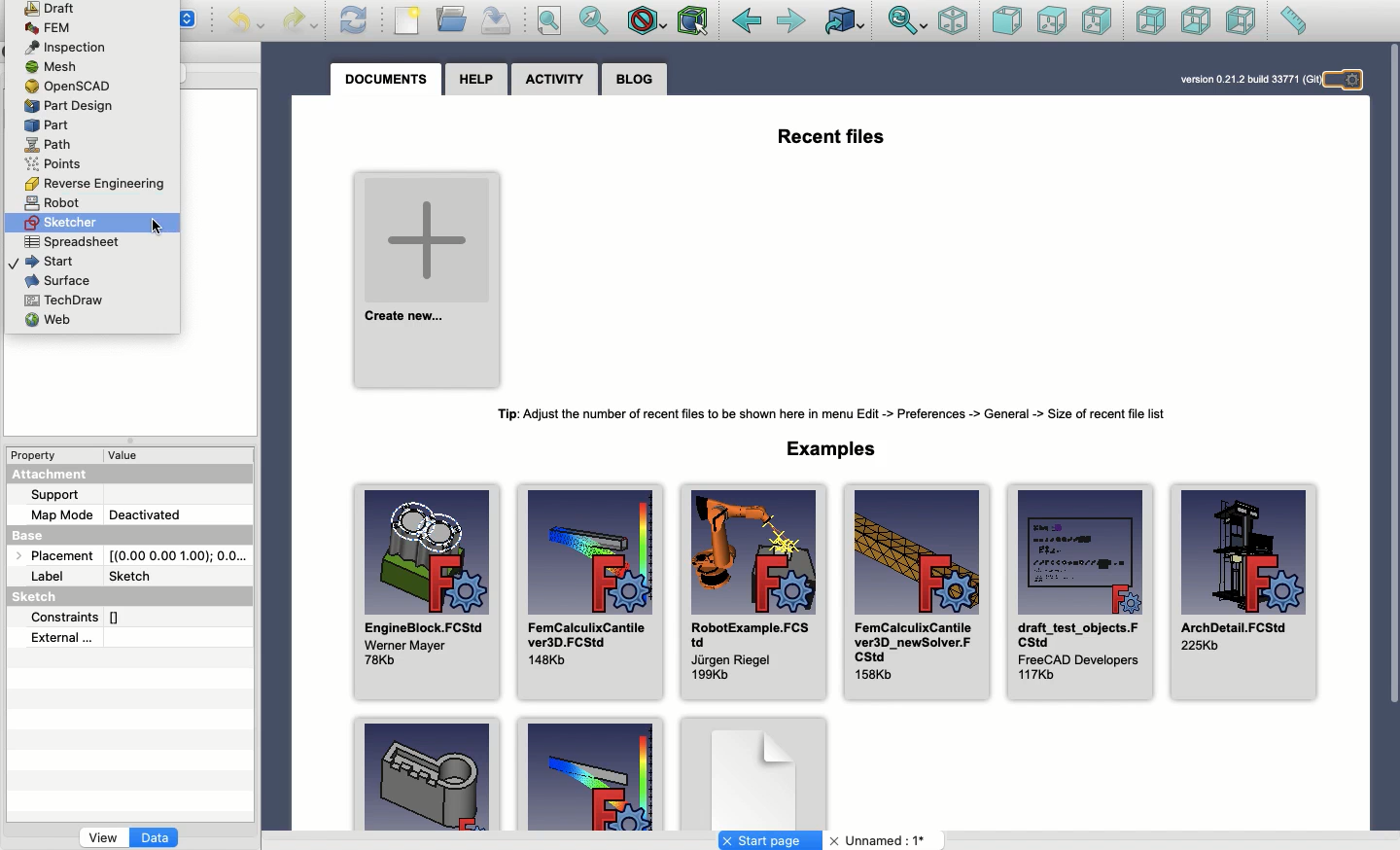 The width and height of the screenshot is (1400, 850). What do you see at coordinates (55, 66) in the screenshot?
I see `Mesh` at bounding box center [55, 66].